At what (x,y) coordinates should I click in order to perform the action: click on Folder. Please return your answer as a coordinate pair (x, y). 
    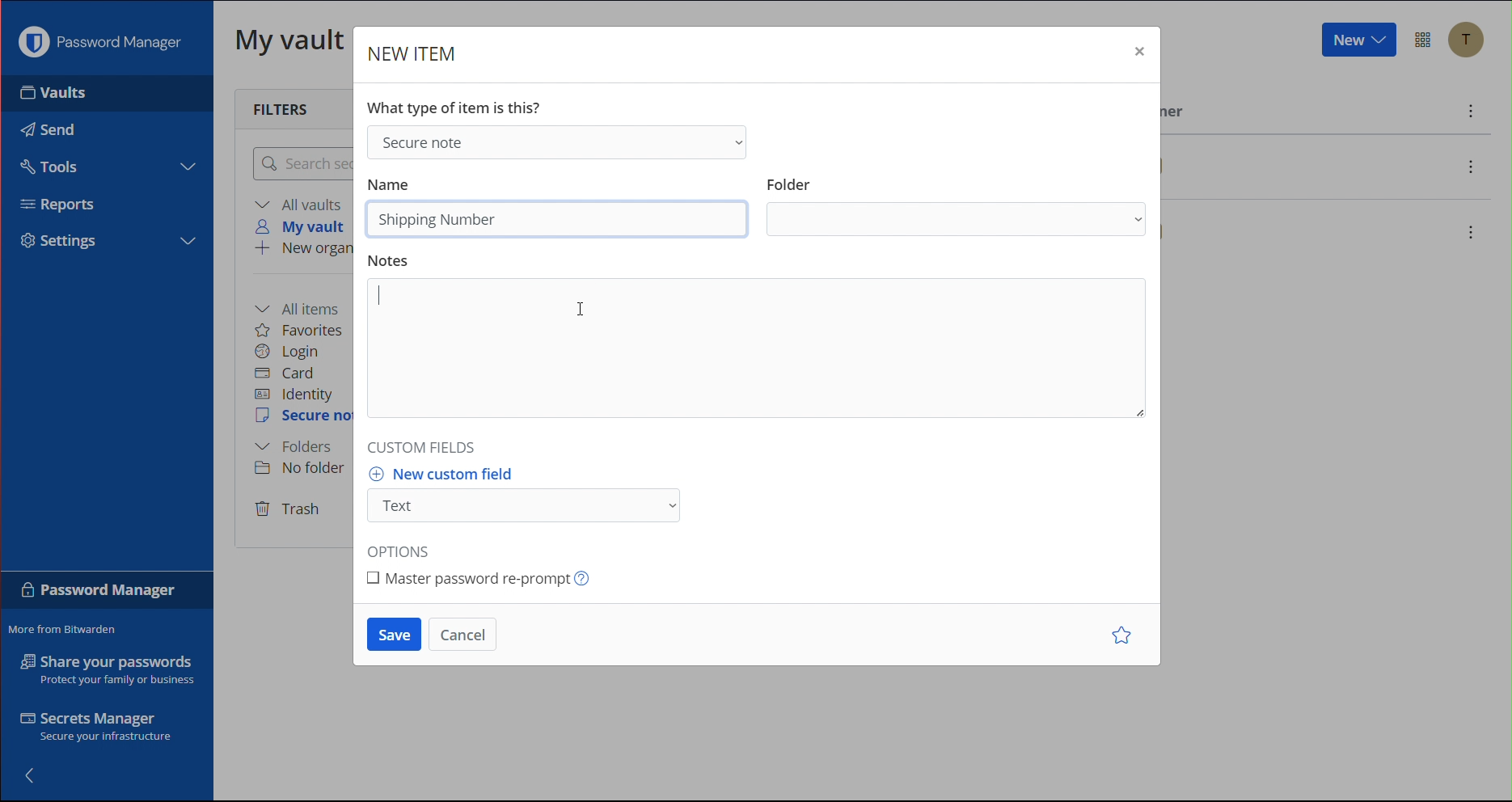
    Looking at the image, I should click on (956, 205).